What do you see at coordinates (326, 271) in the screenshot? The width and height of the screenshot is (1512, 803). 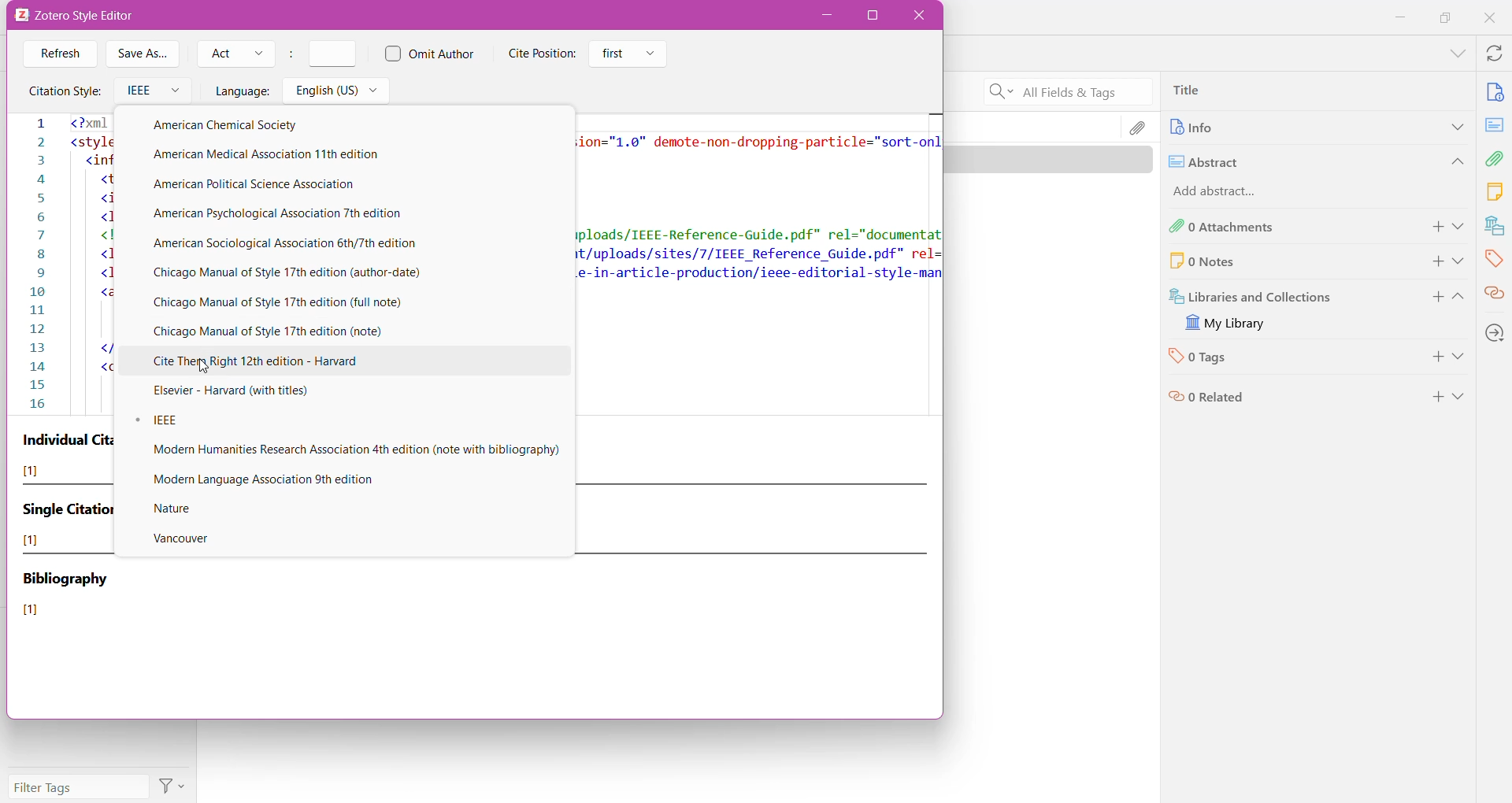 I see `Chicago Manual of Style 17th edition(author-date)` at bounding box center [326, 271].